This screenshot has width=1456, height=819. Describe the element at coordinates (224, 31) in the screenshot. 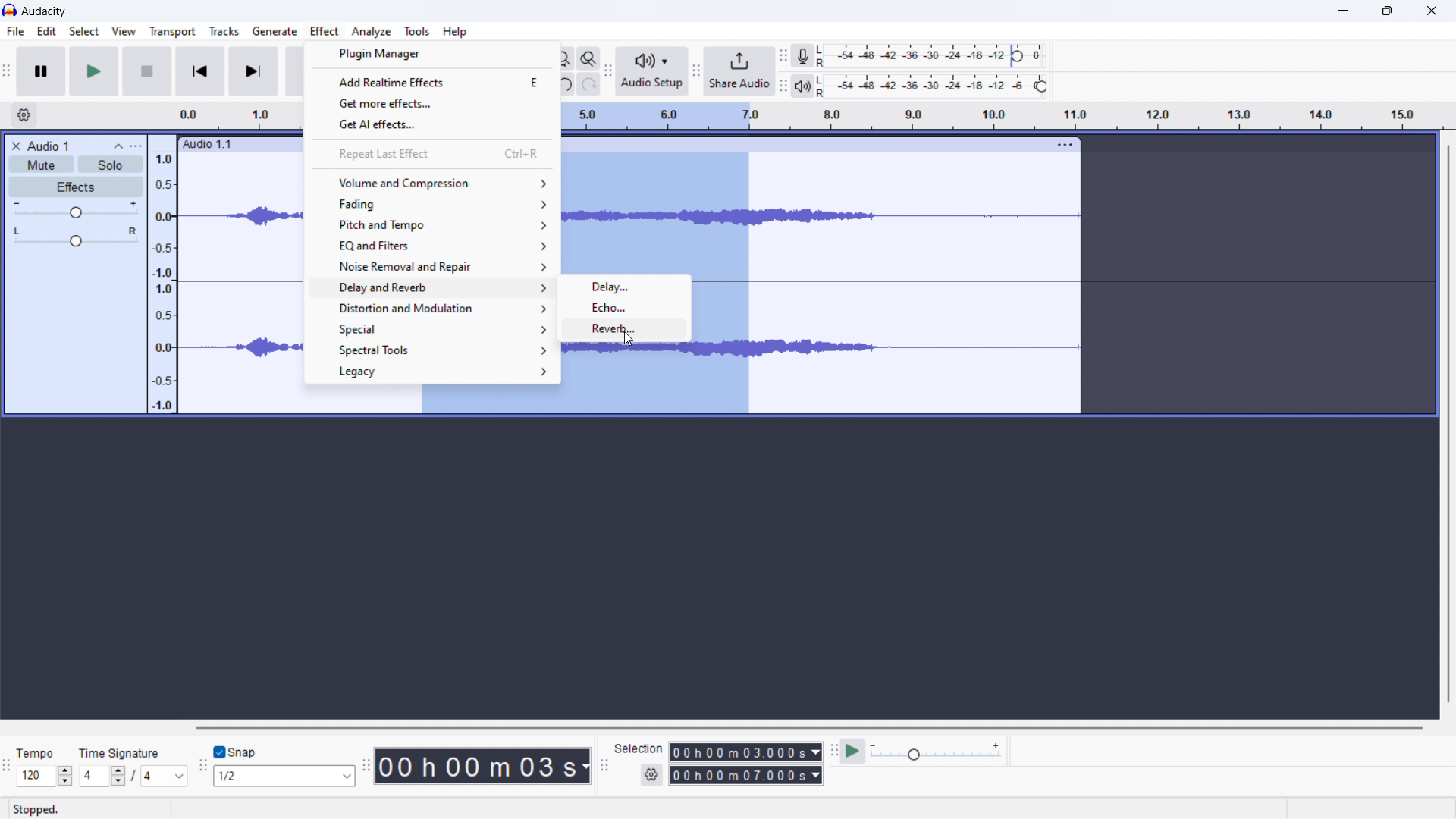

I see `tracks` at that location.